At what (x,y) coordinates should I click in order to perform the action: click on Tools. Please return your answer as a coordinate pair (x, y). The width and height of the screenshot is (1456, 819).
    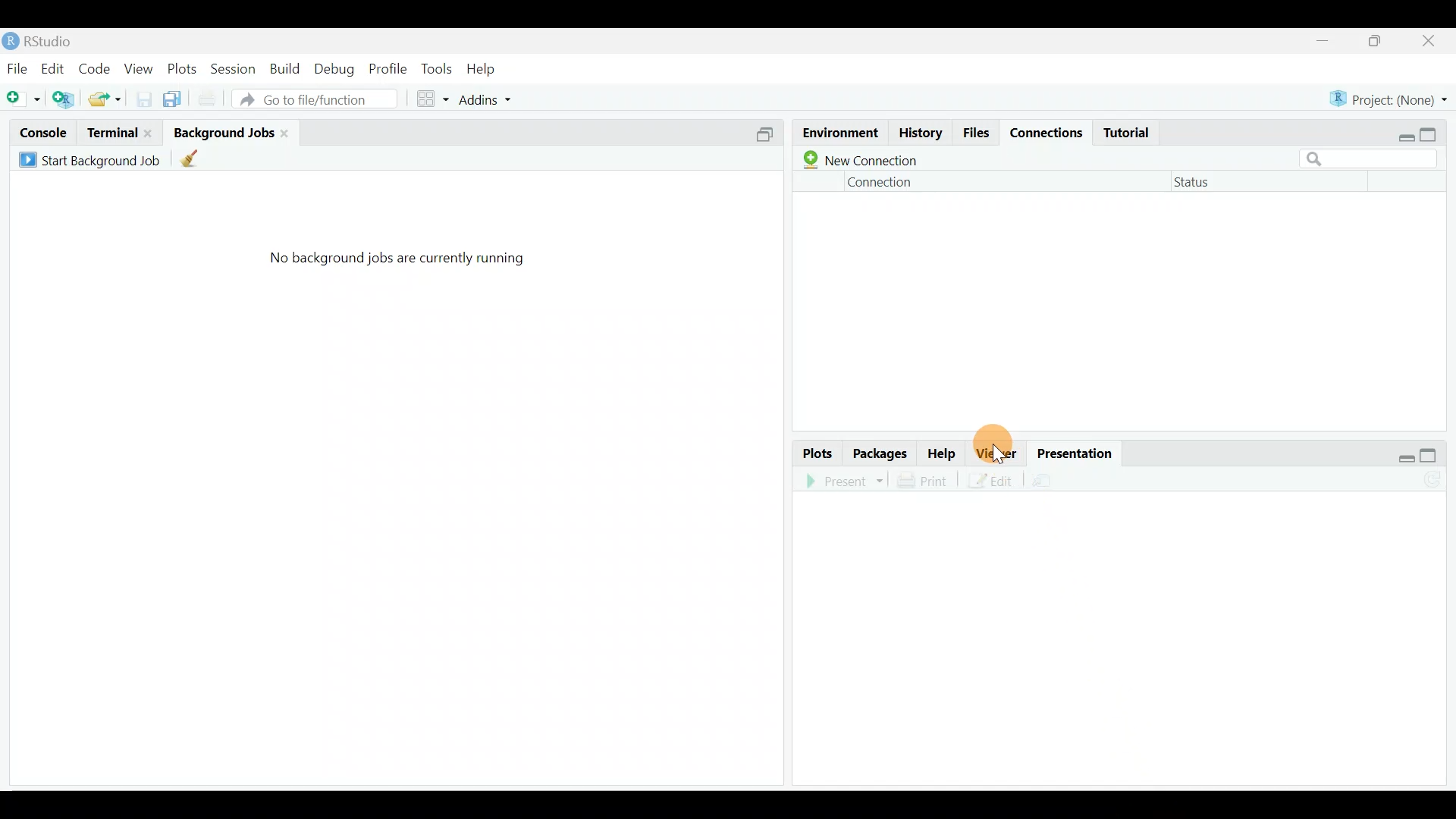
    Looking at the image, I should click on (436, 71).